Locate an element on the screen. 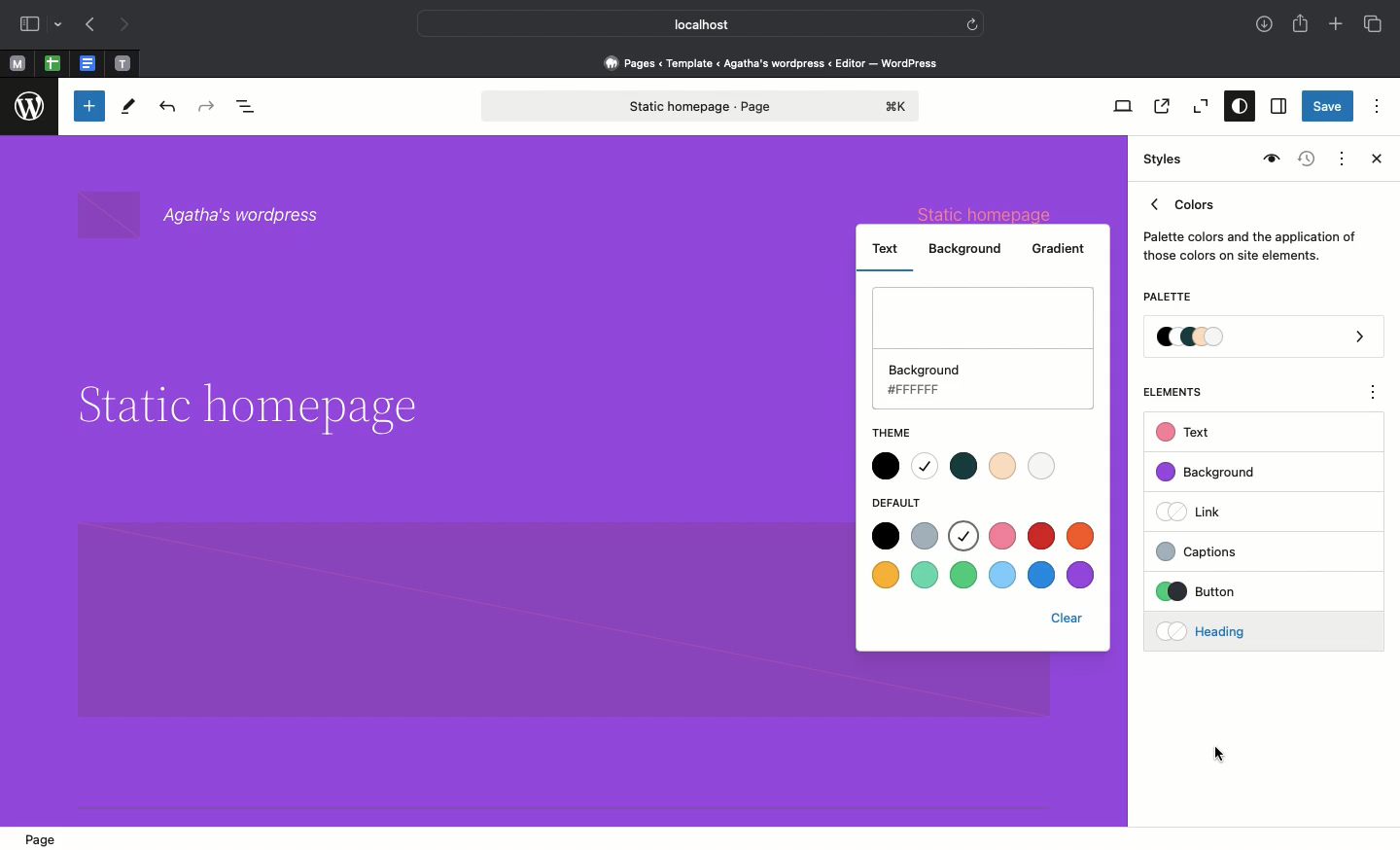 This screenshot has height=850, width=1400. Gradient is located at coordinates (1058, 250).